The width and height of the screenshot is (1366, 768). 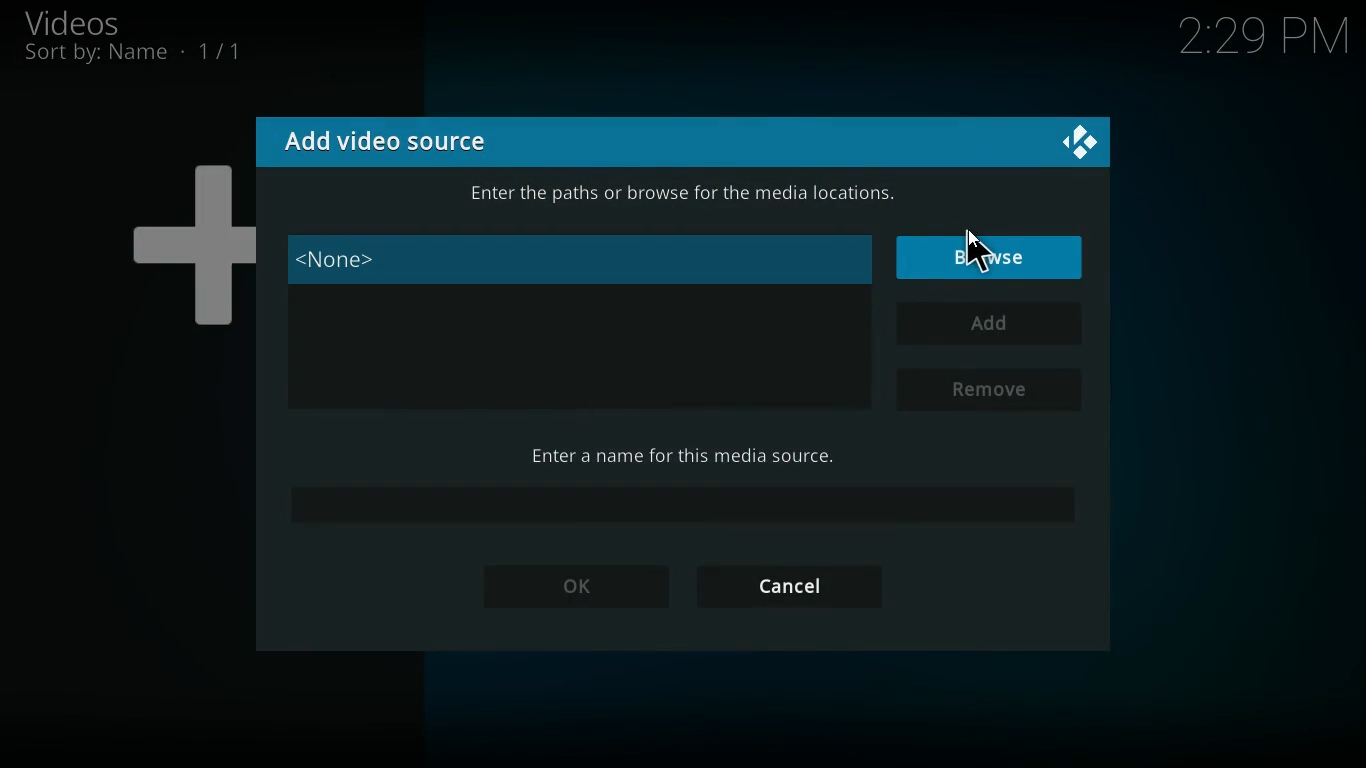 I want to click on sort by name 1/1, so click(x=133, y=53).